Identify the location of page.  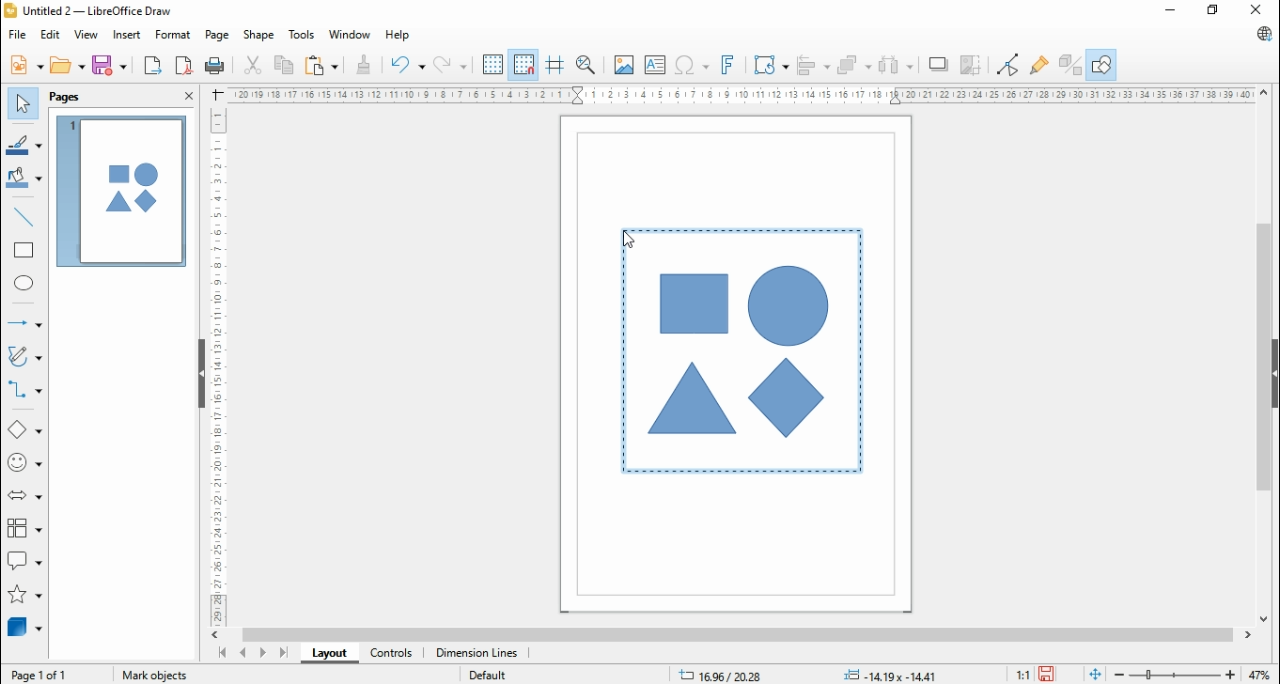
(216, 36).